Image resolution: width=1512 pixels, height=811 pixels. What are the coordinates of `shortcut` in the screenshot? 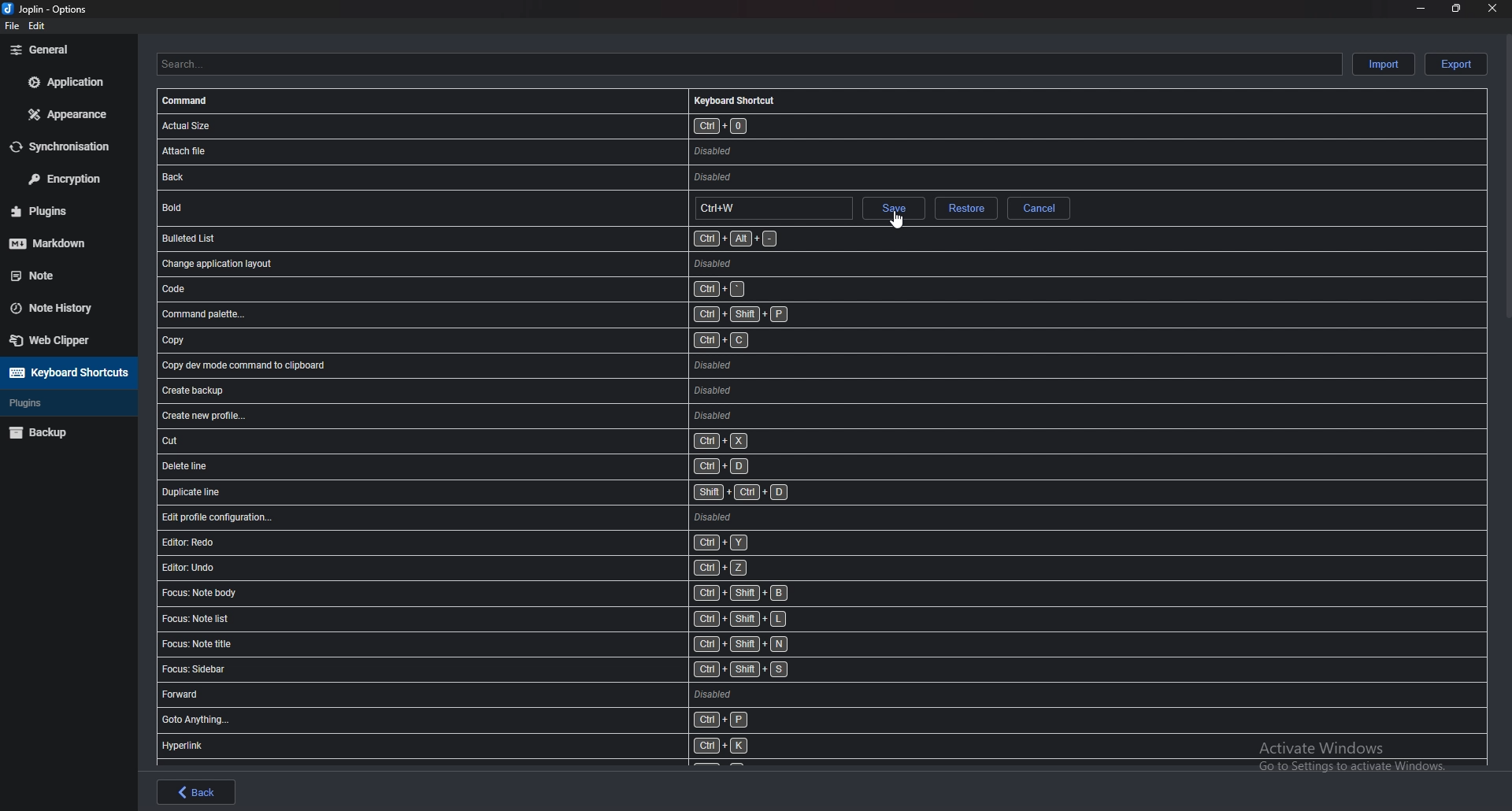 It's located at (515, 567).